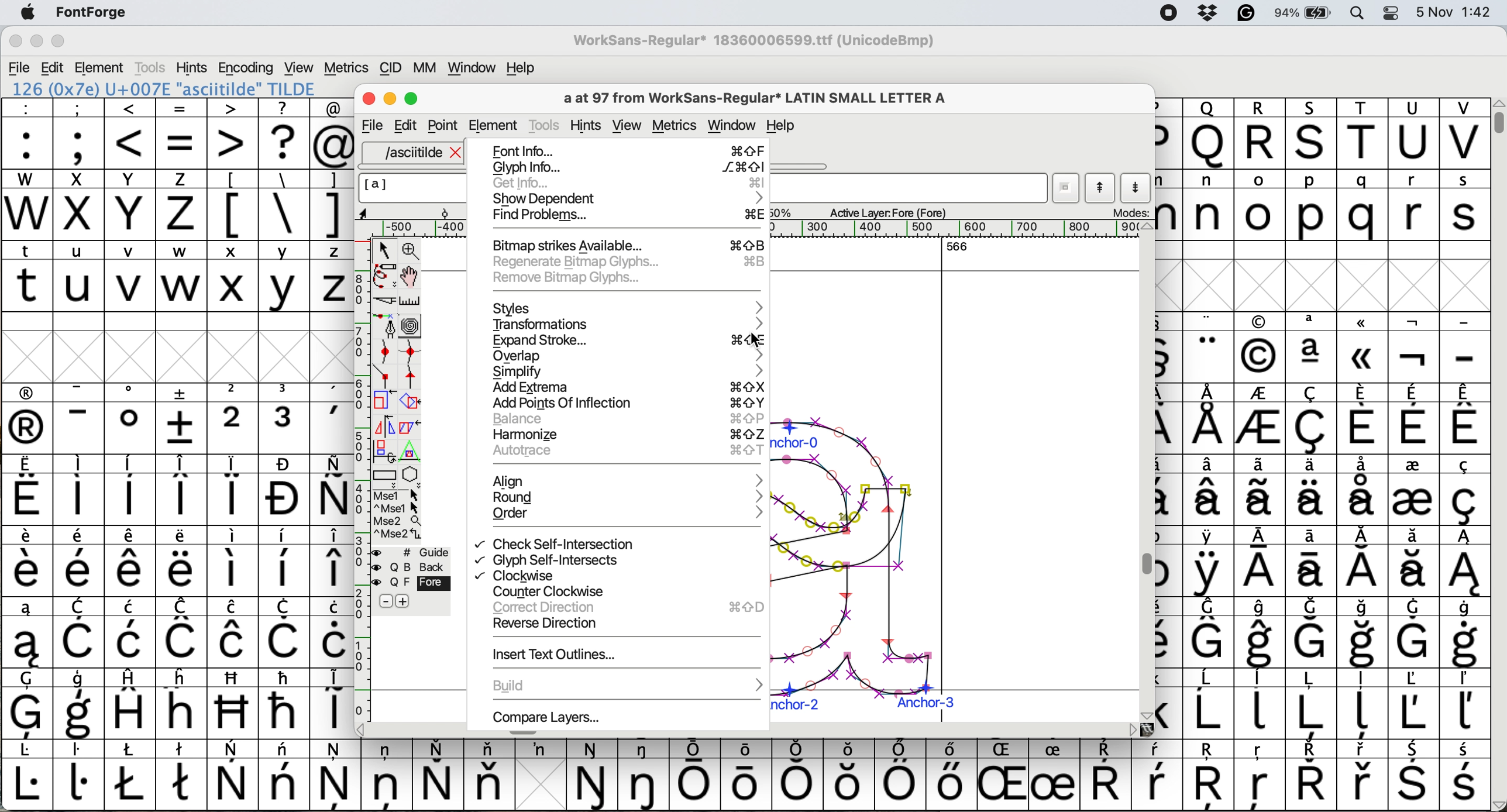 Image resolution: width=1507 pixels, height=812 pixels. Describe the element at coordinates (130, 133) in the screenshot. I see `<` at that location.